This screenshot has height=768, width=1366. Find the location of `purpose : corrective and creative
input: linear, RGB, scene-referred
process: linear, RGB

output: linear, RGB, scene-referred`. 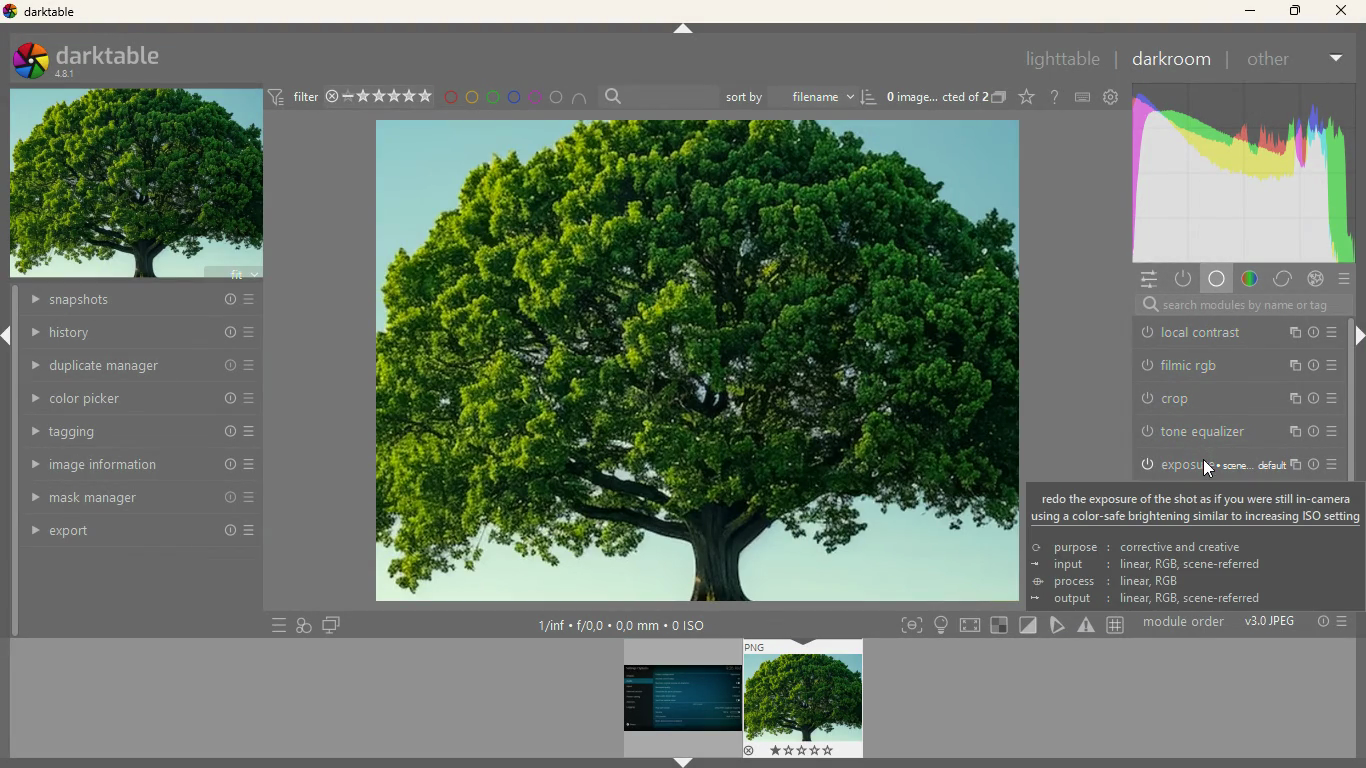

purpose : corrective and creative
input: linear, RGB, scene-referred
process: linear, RGB

output: linear, RGB, scene-referred is located at coordinates (1184, 568).